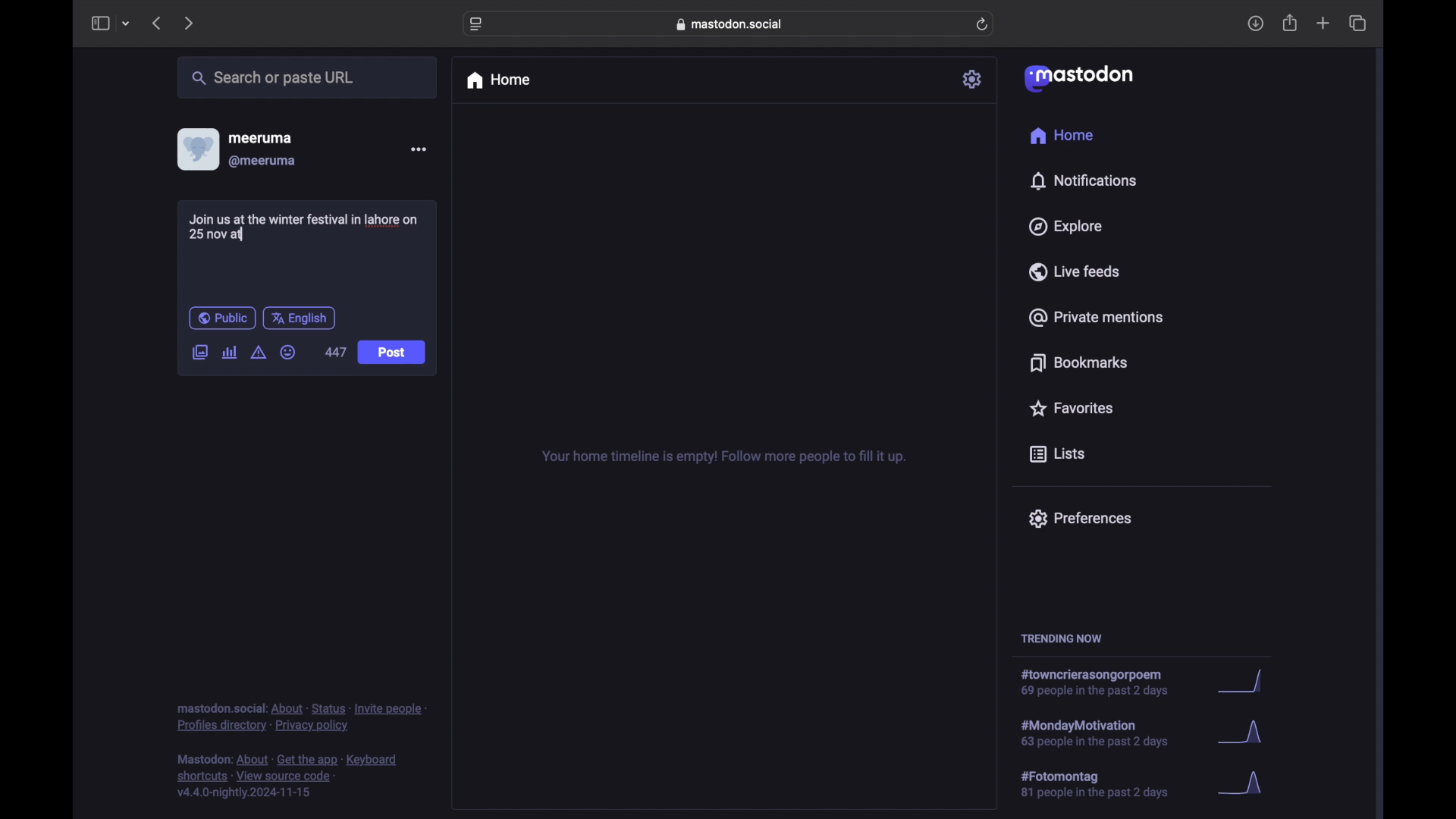 This screenshot has width=1456, height=819. Describe the element at coordinates (1256, 24) in the screenshot. I see `download` at that location.